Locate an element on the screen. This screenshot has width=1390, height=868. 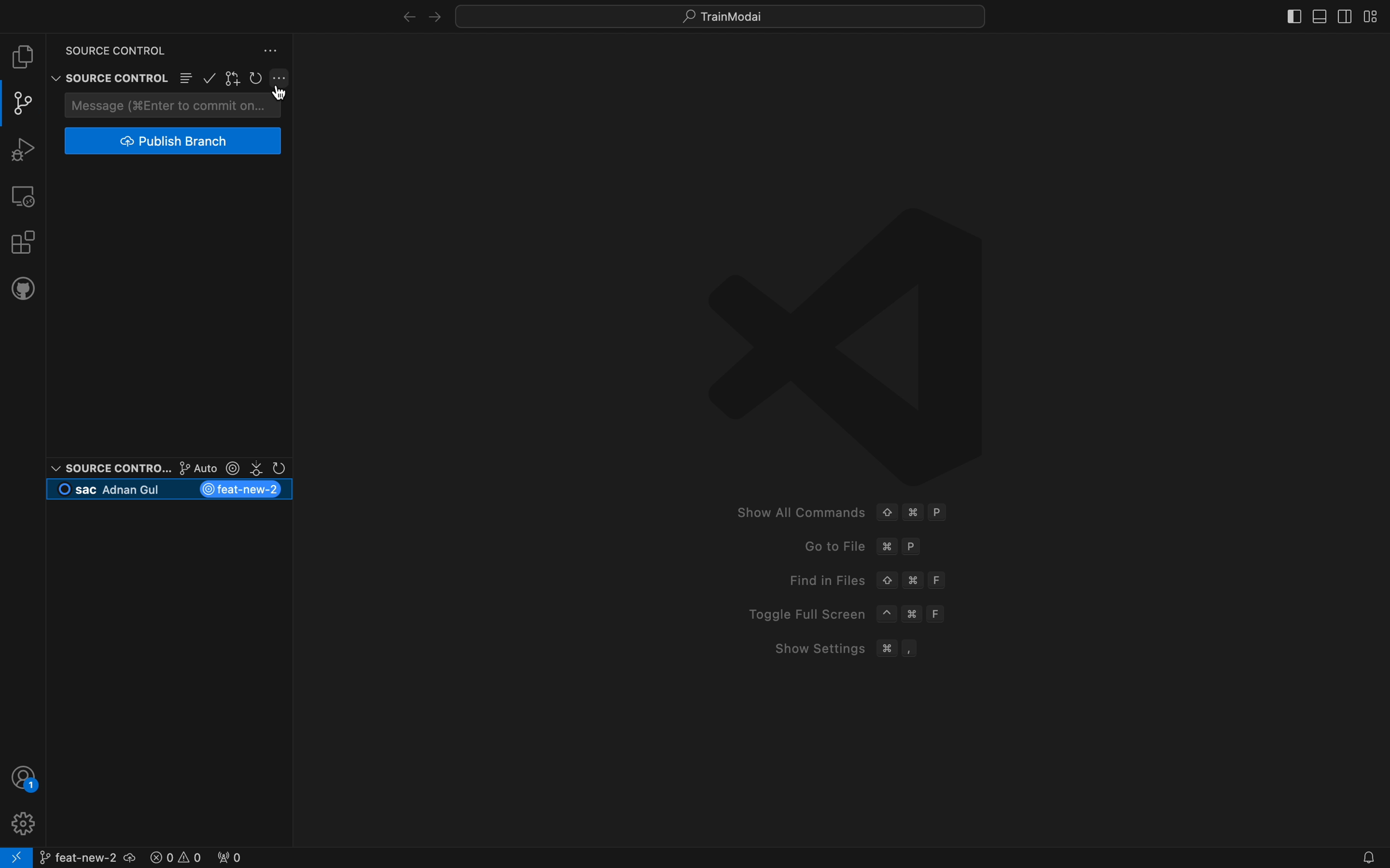
profile is located at coordinates (21, 822).